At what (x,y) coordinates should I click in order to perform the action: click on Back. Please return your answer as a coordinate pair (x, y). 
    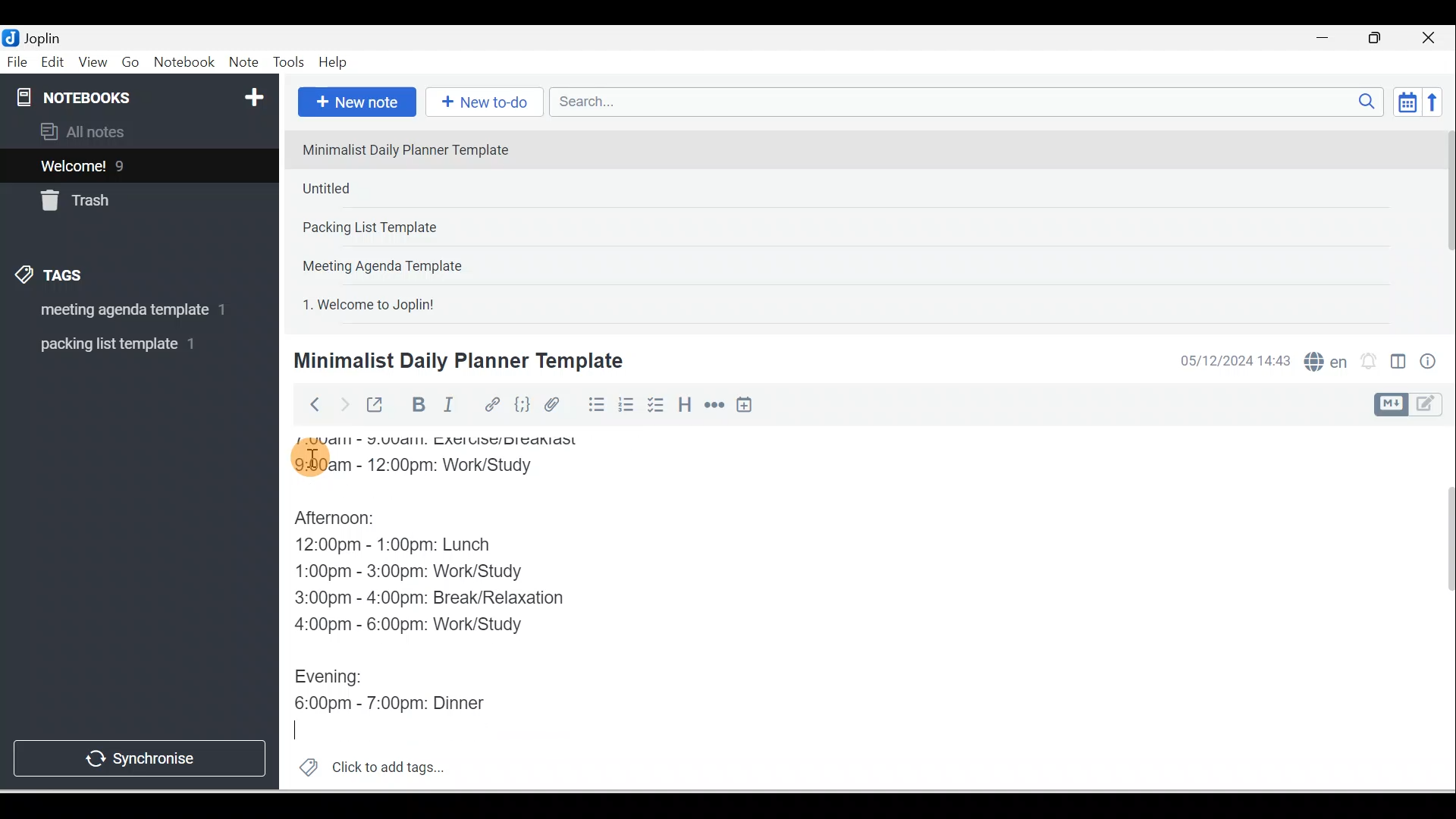
    Looking at the image, I should click on (308, 404).